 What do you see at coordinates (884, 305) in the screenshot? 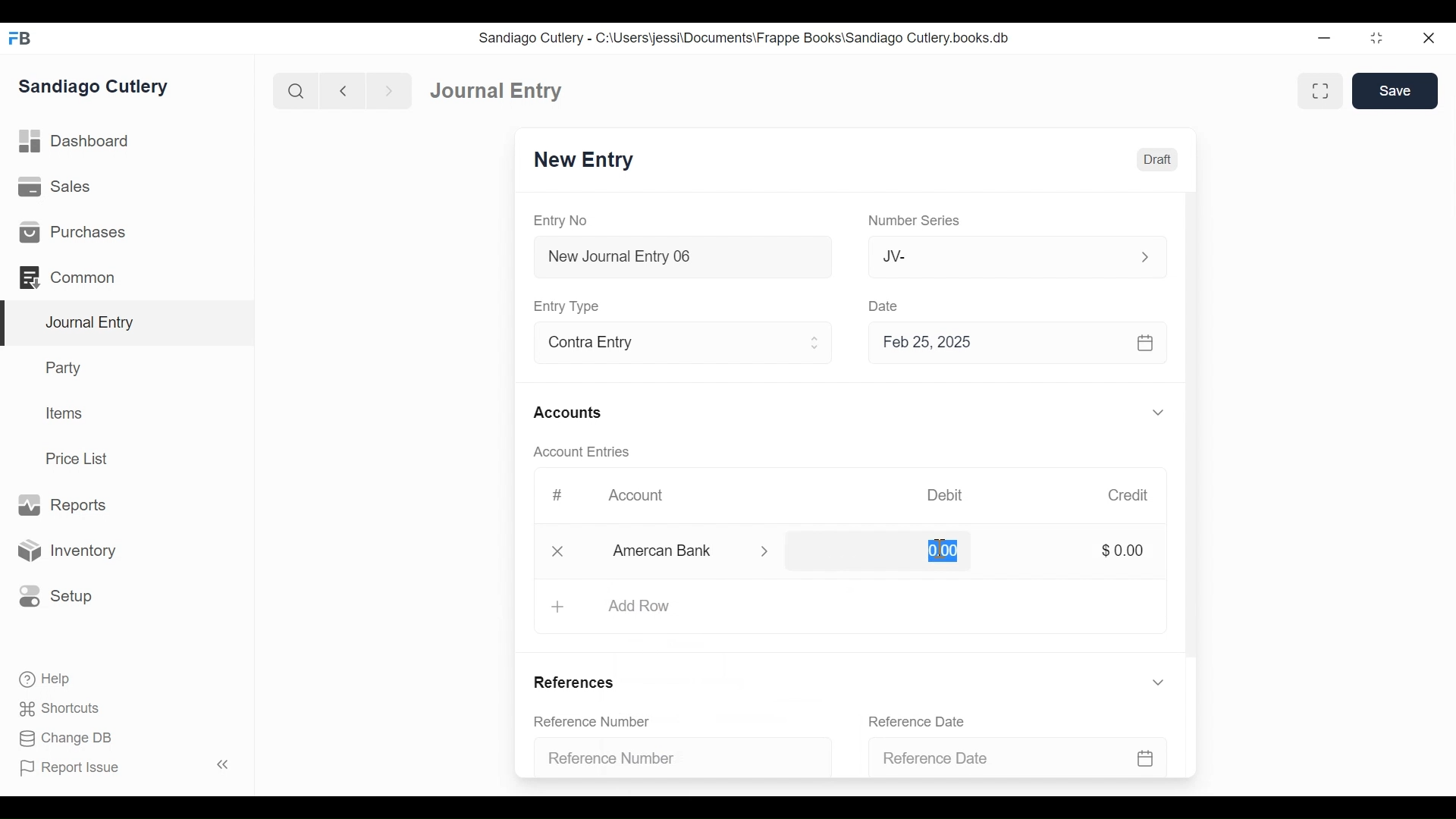
I see `Date` at bounding box center [884, 305].